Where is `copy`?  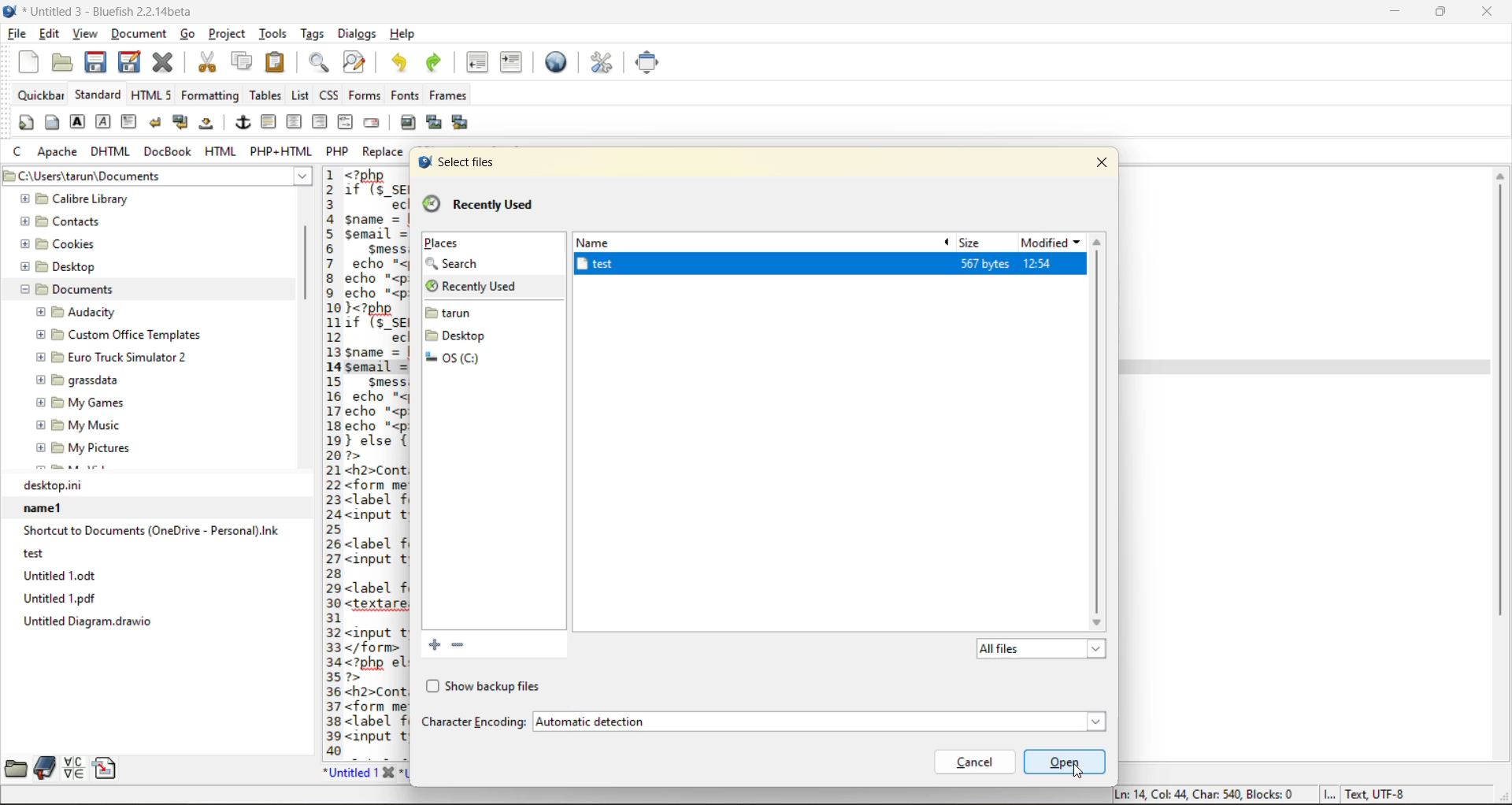 copy is located at coordinates (240, 62).